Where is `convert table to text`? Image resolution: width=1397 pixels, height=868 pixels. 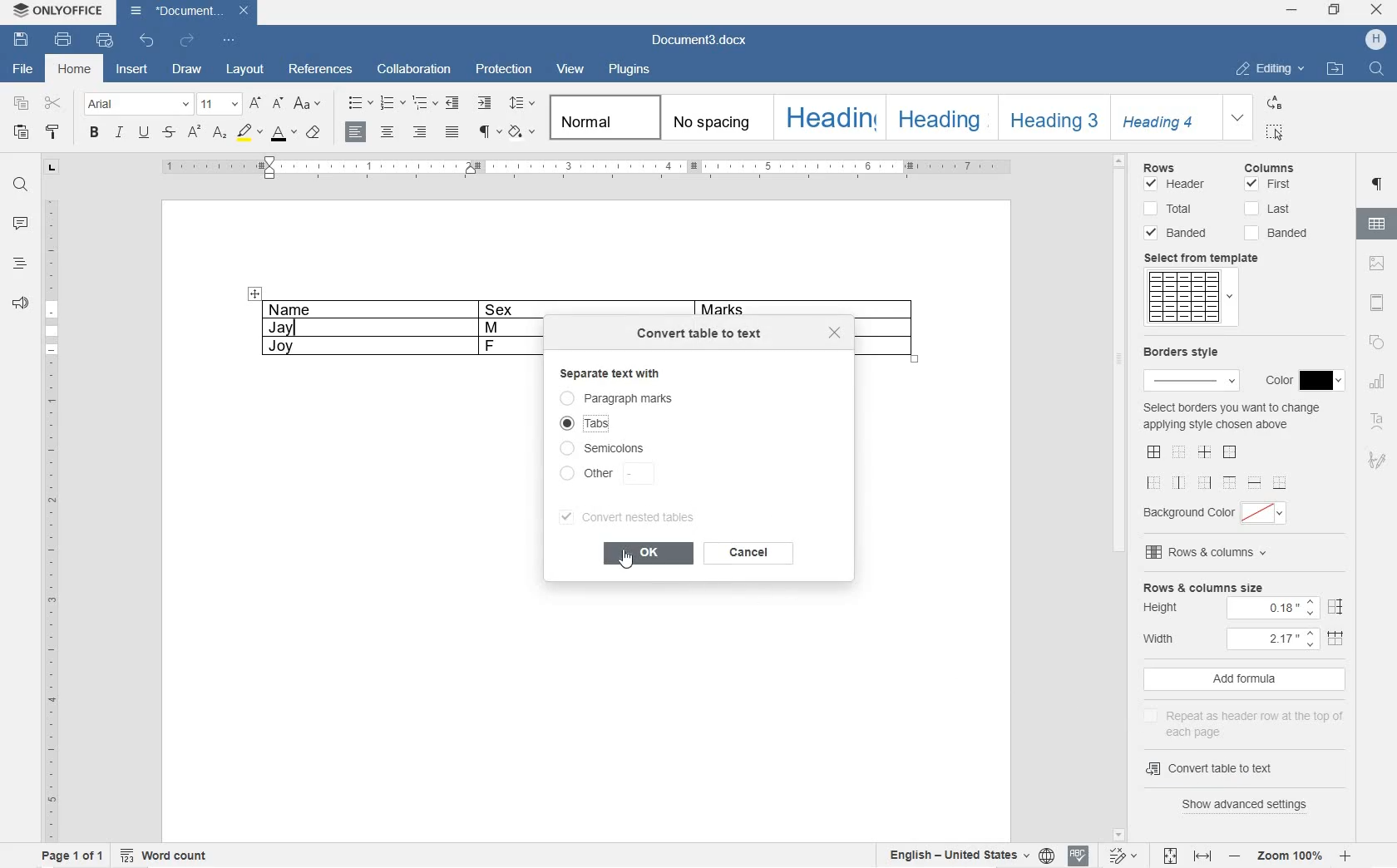
convert table to text is located at coordinates (1231, 769).